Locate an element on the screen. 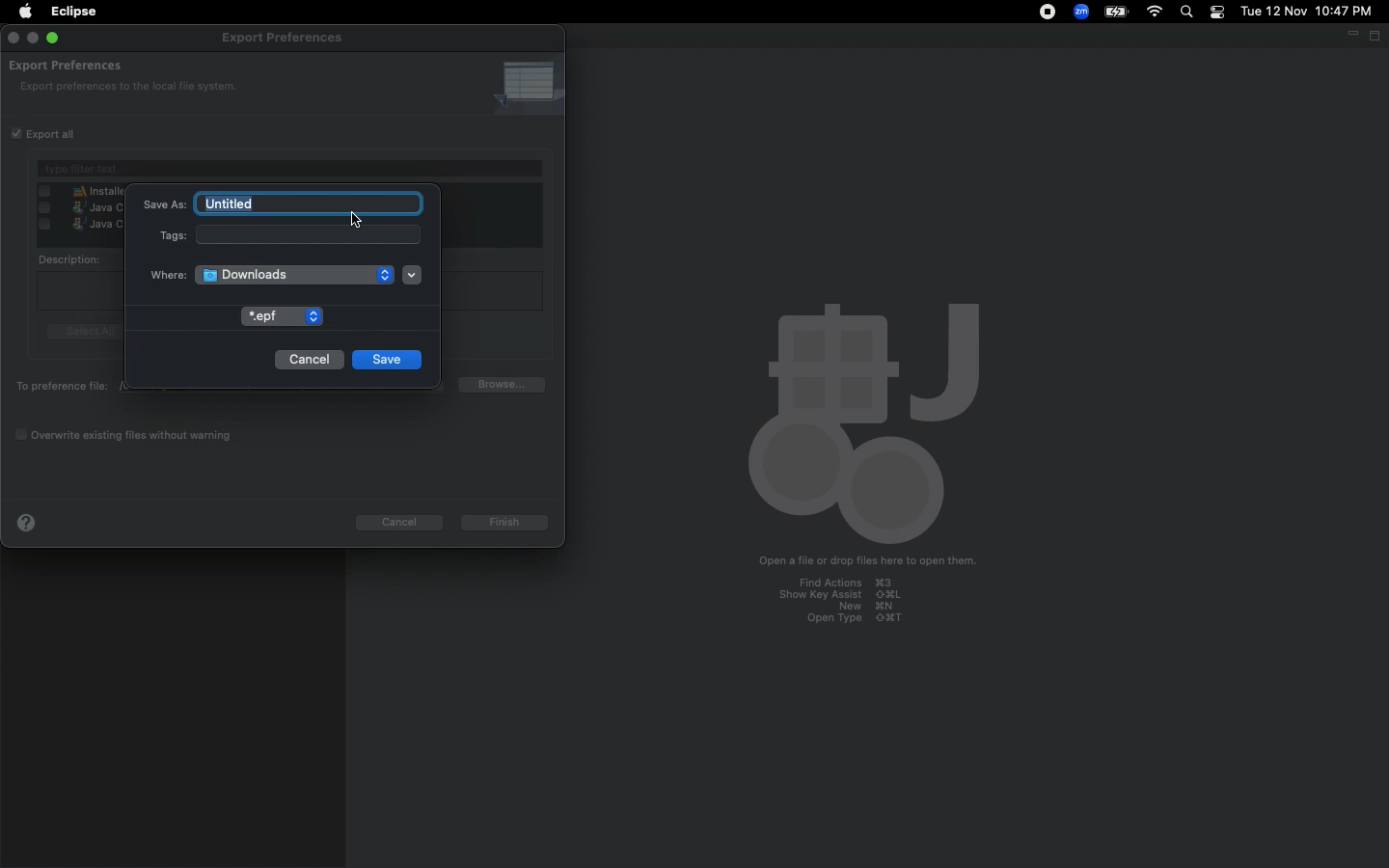 The image size is (1389, 868). Browse is located at coordinates (508, 386).